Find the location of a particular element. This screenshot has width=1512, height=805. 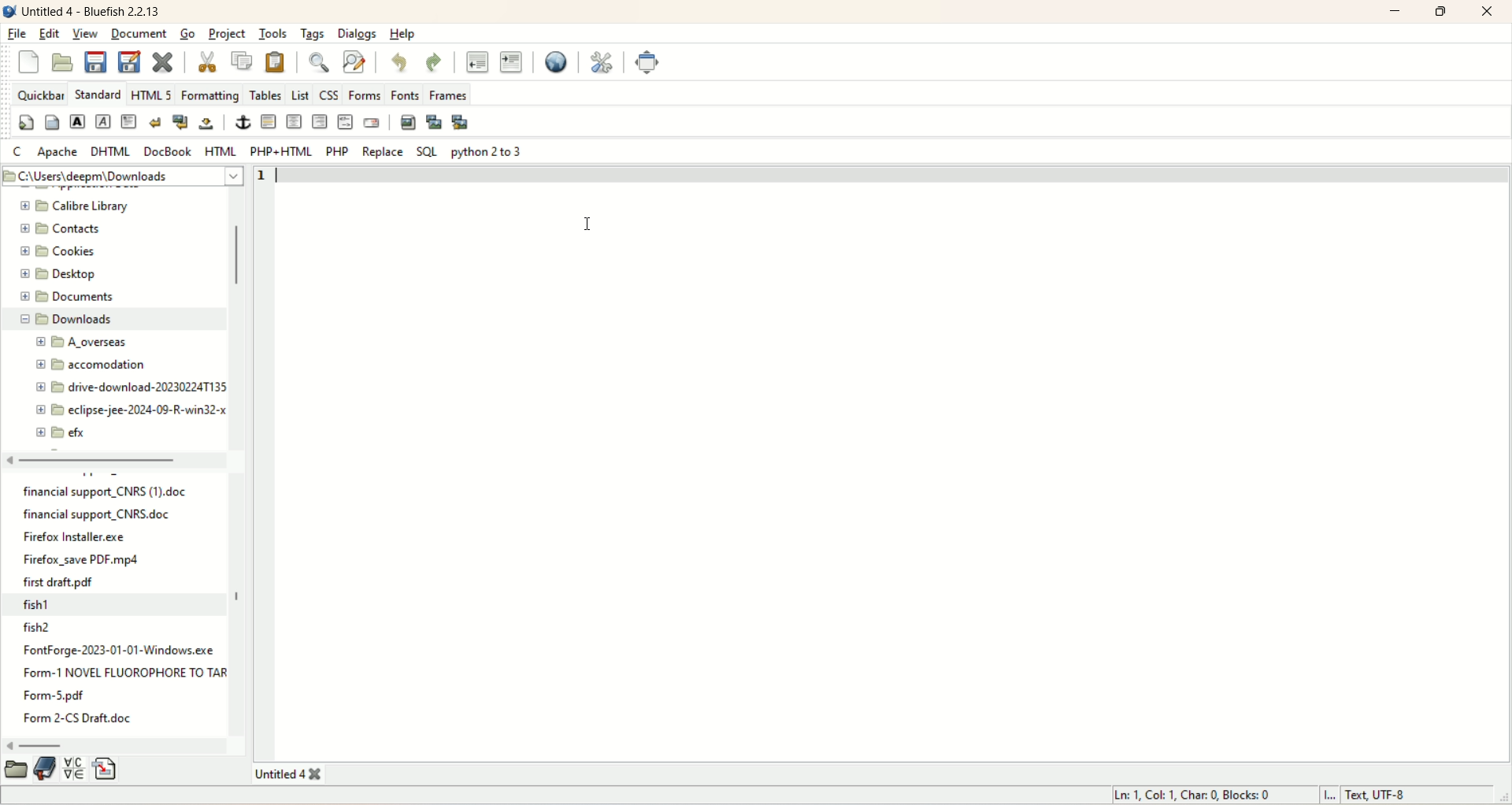

insert thumbnail is located at coordinates (435, 123).